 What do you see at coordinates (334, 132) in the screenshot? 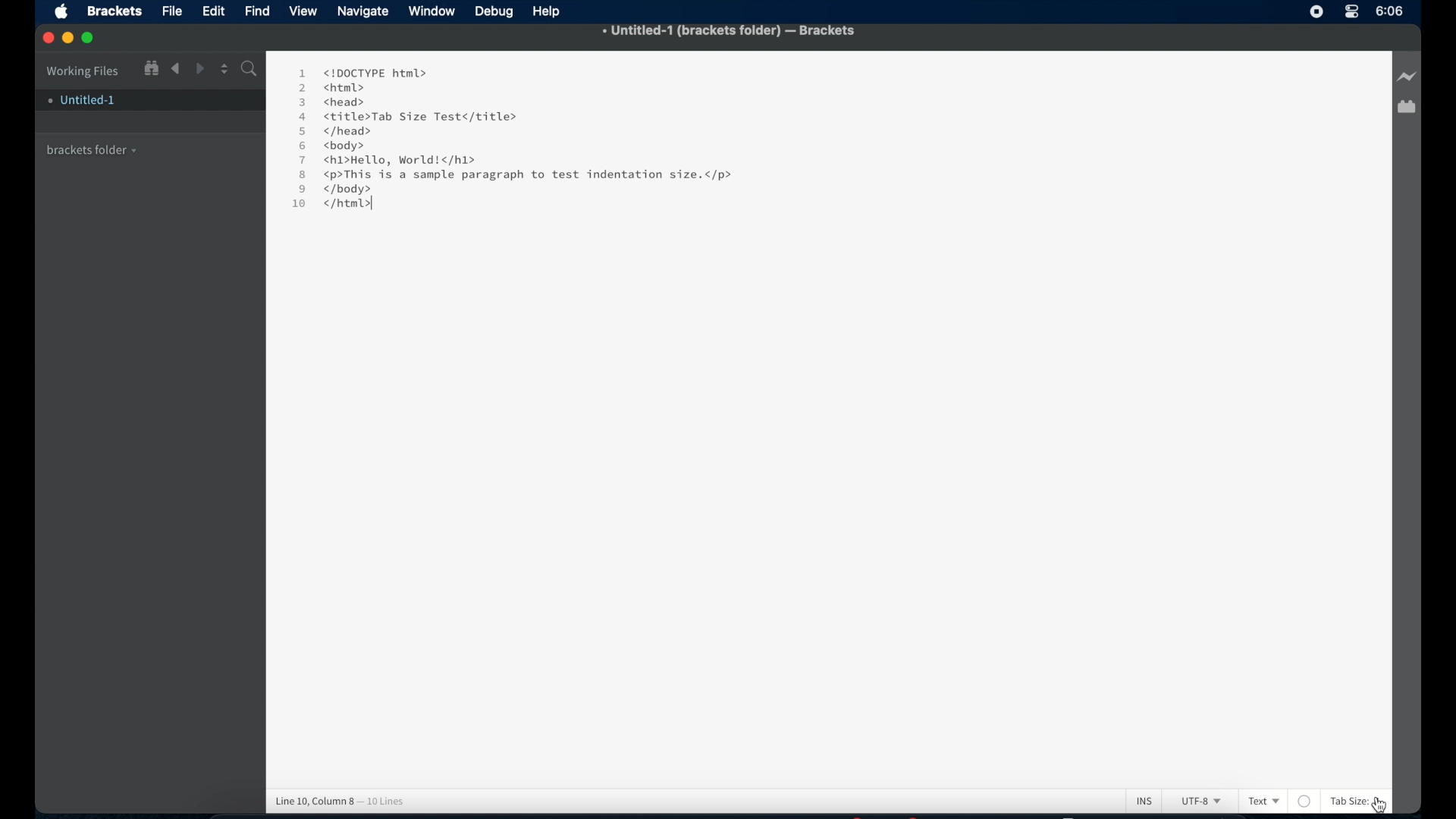
I see `5 </head>` at bounding box center [334, 132].